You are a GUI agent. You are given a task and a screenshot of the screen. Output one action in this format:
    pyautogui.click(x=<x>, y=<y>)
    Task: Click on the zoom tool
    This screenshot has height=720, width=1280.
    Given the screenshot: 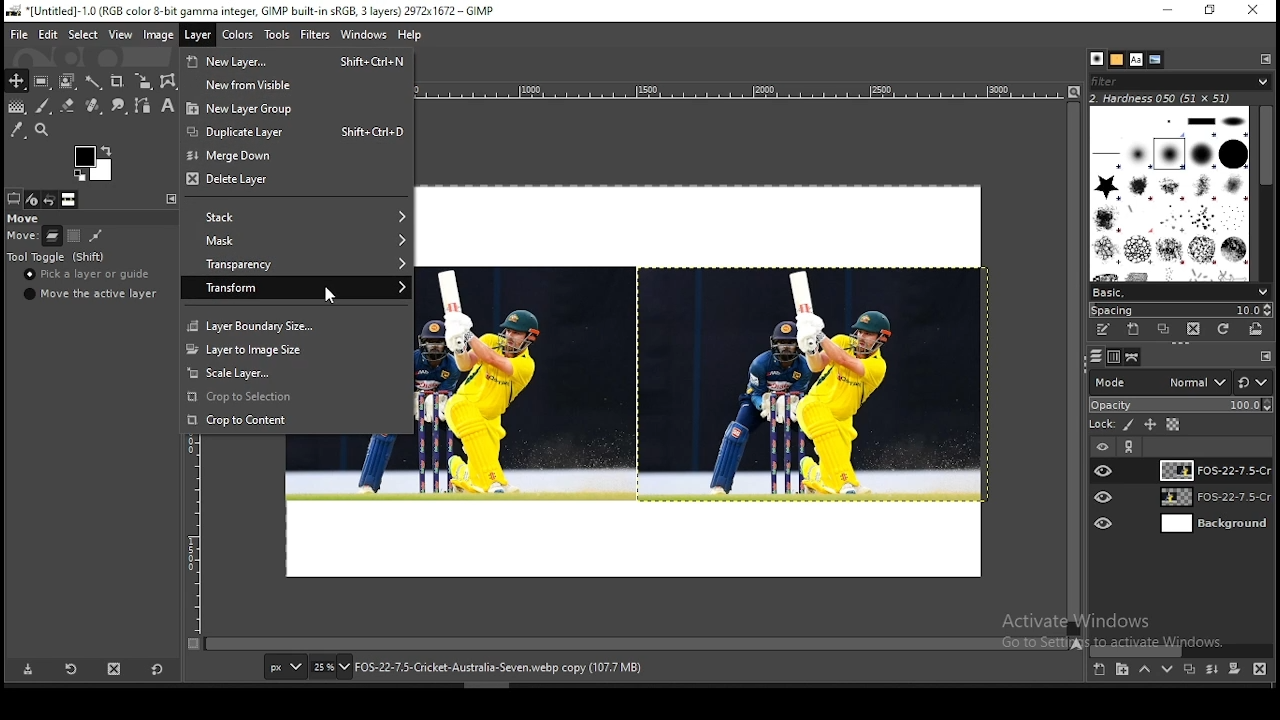 What is the action you would take?
    pyautogui.click(x=44, y=129)
    